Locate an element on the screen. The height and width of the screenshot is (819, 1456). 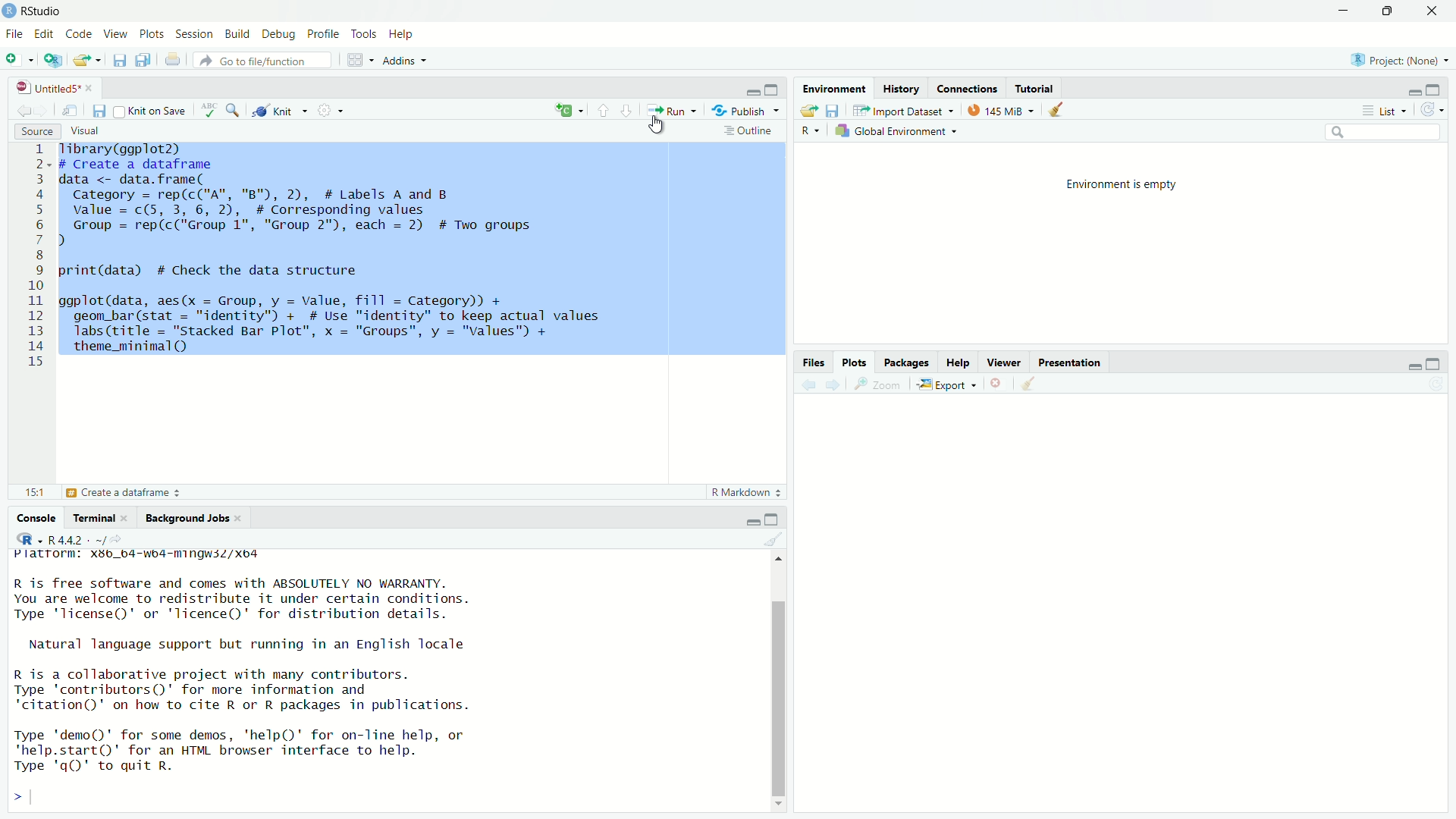
Go back to the previous source location (Ctrl + F9) is located at coordinates (19, 108).